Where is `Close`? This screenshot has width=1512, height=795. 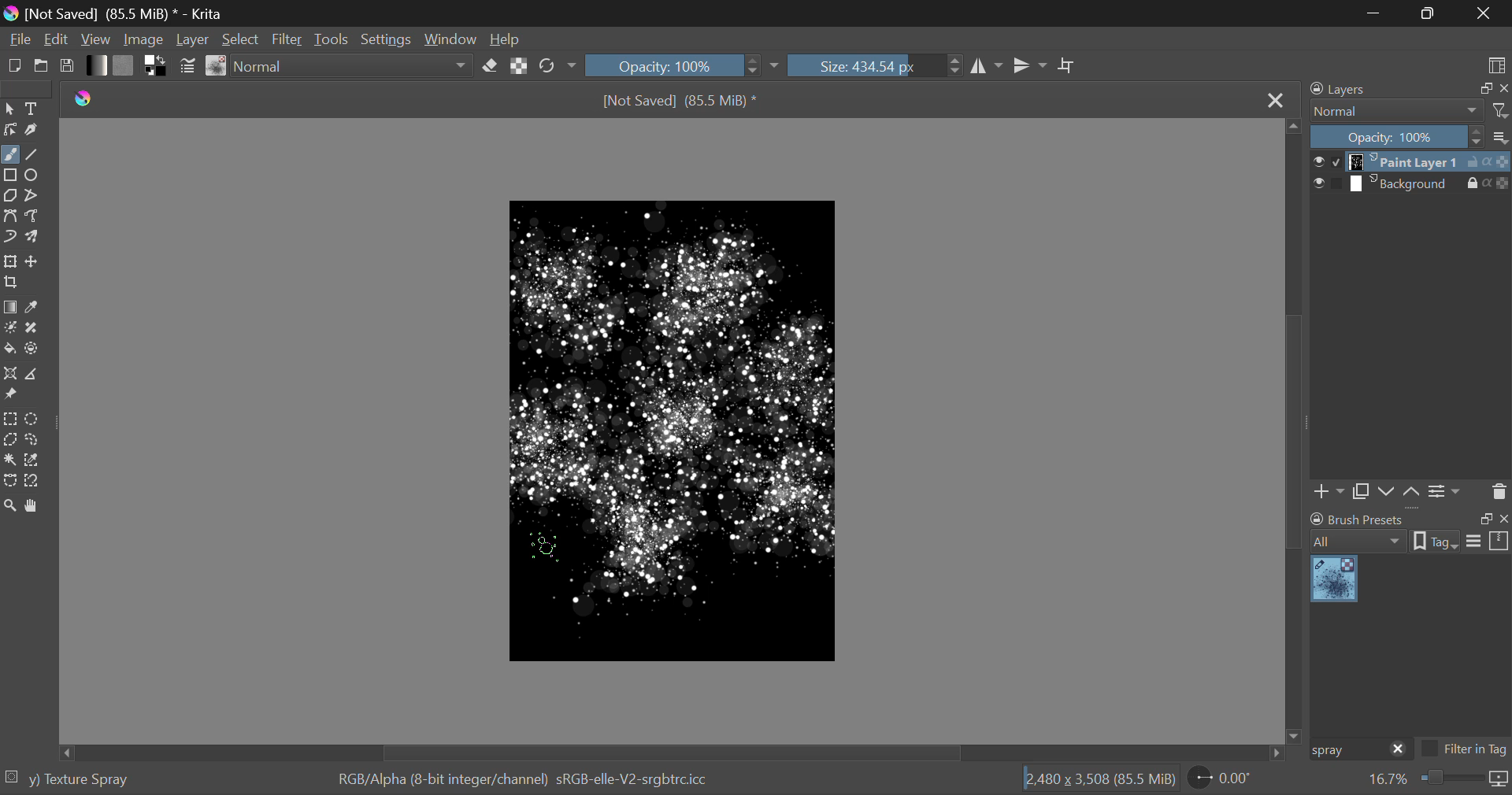 Close is located at coordinates (1484, 13).